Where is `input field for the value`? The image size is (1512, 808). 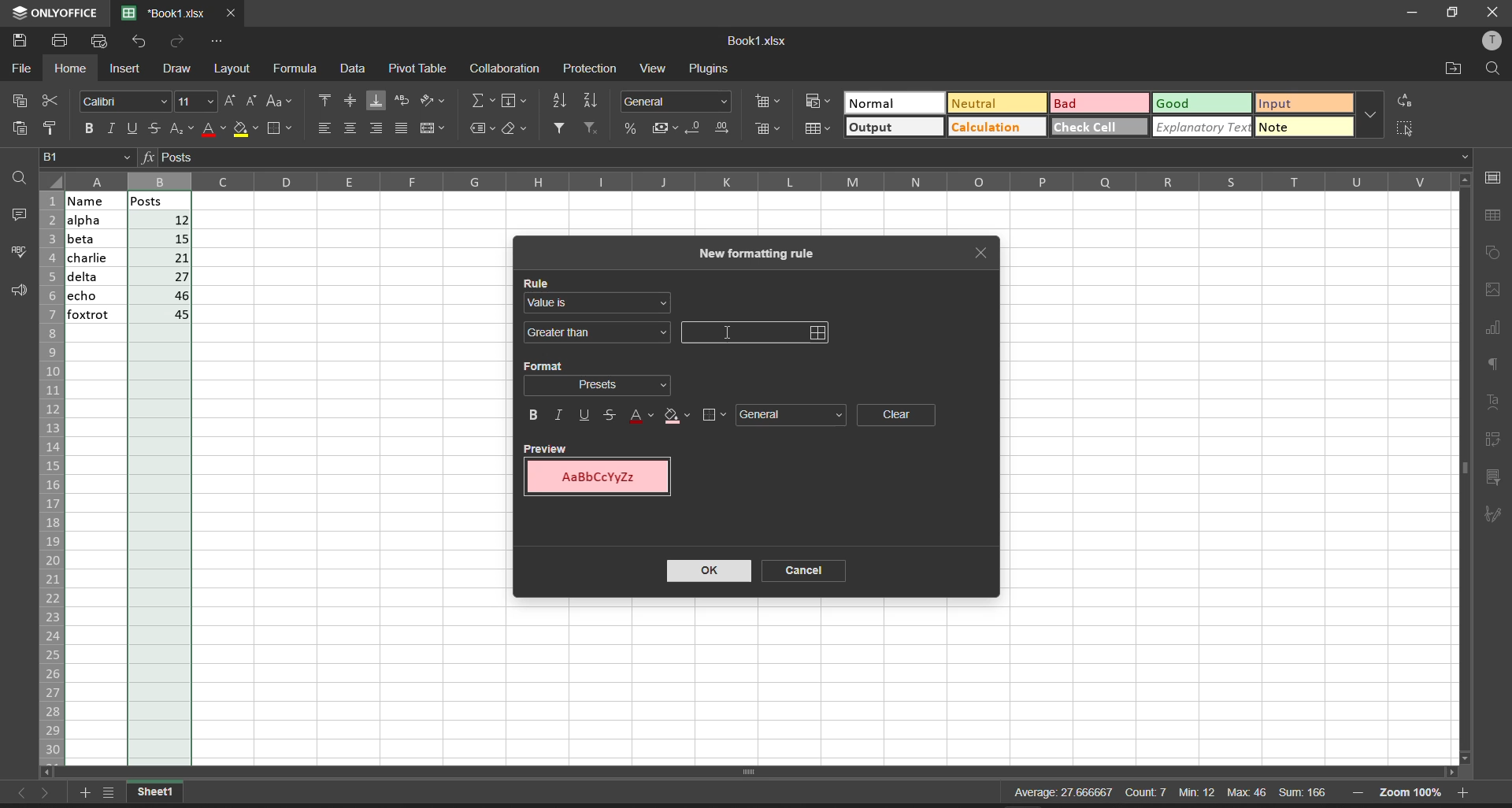 input field for the value is located at coordinates (757, 332).